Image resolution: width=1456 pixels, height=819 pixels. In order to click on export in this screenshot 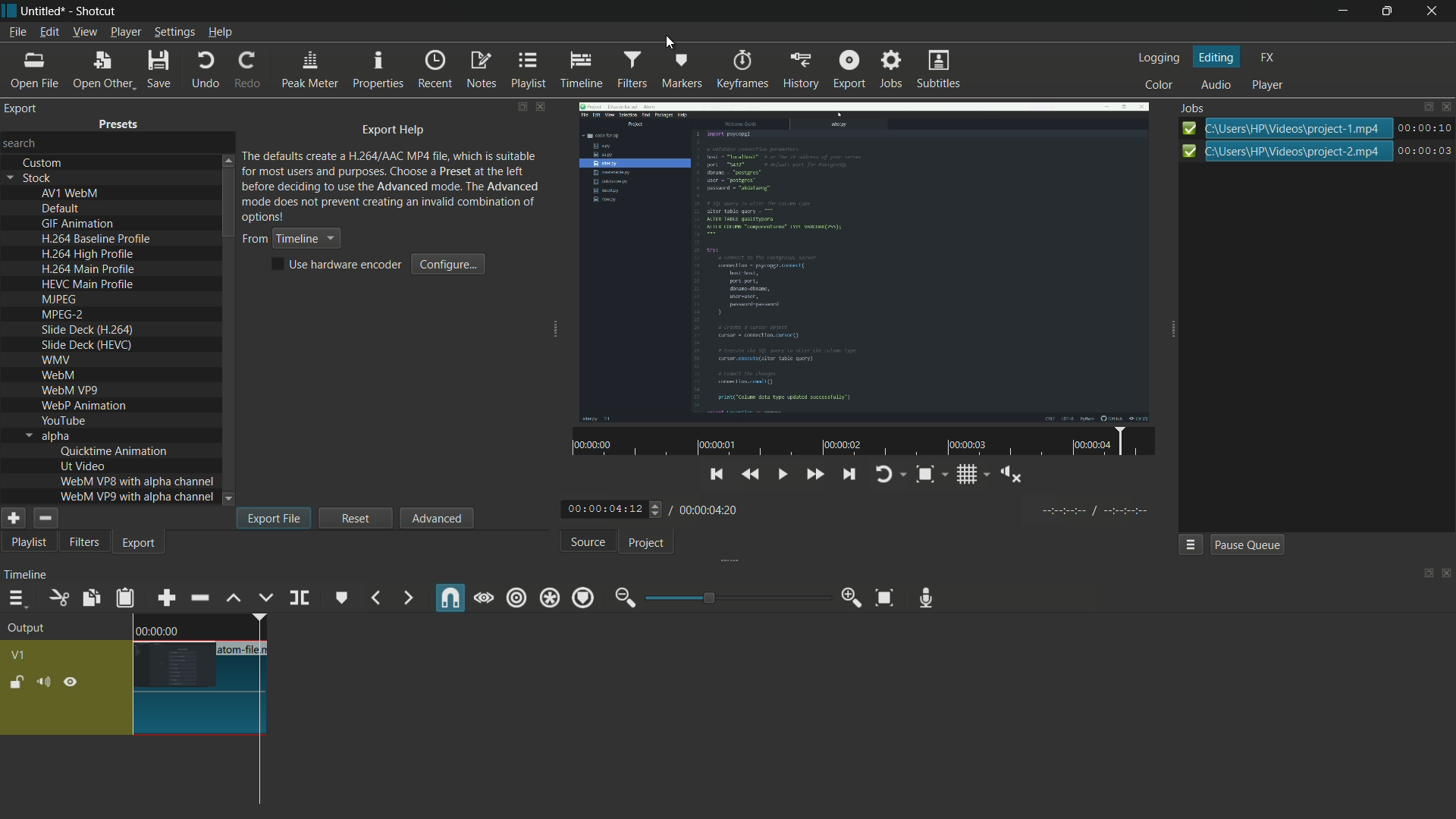, I will do `click(848, 69)`.